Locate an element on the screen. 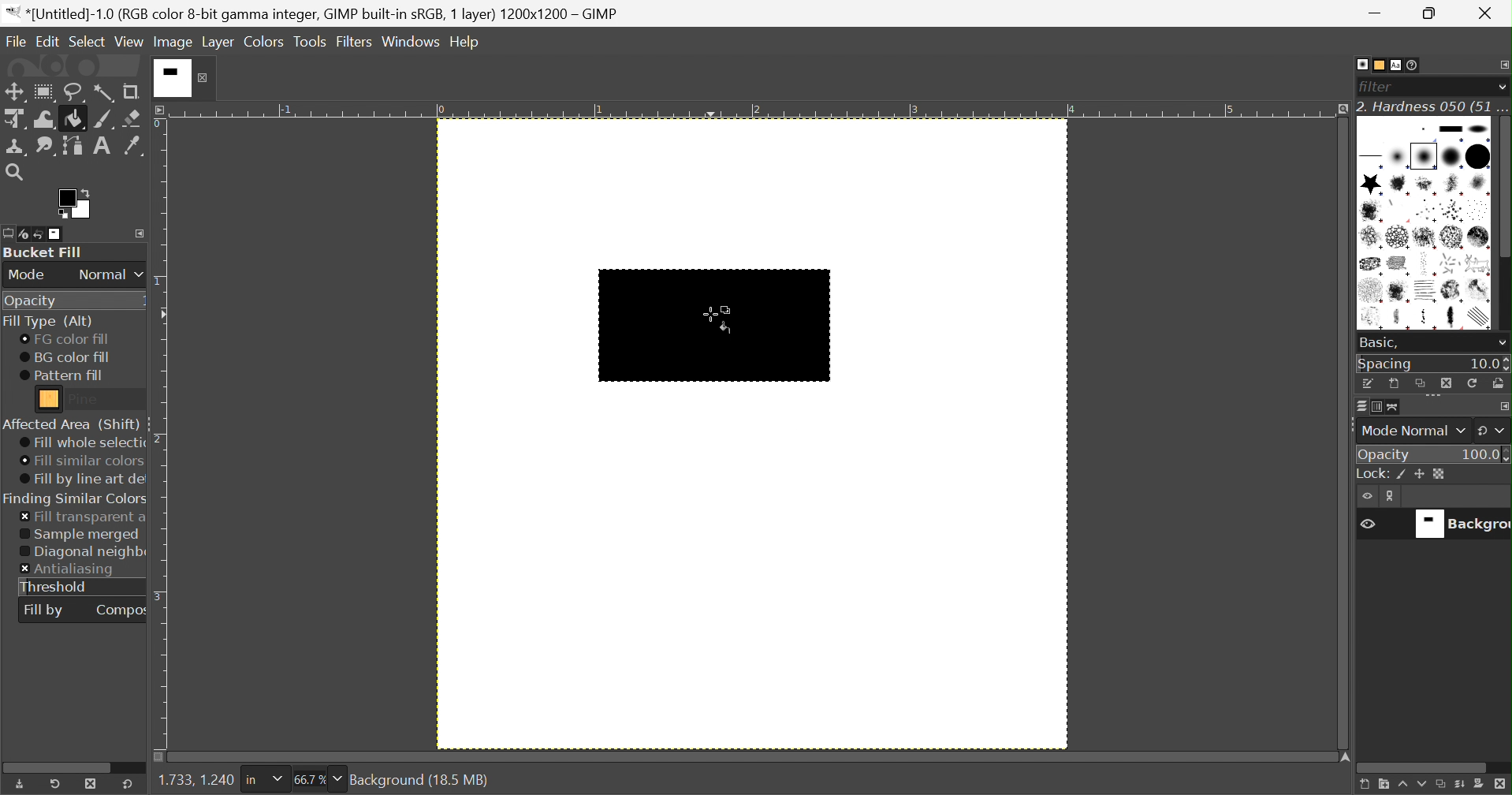 This screenshot has width=1512, height=795. Lock pixels is located at coordinates (1404, 476).